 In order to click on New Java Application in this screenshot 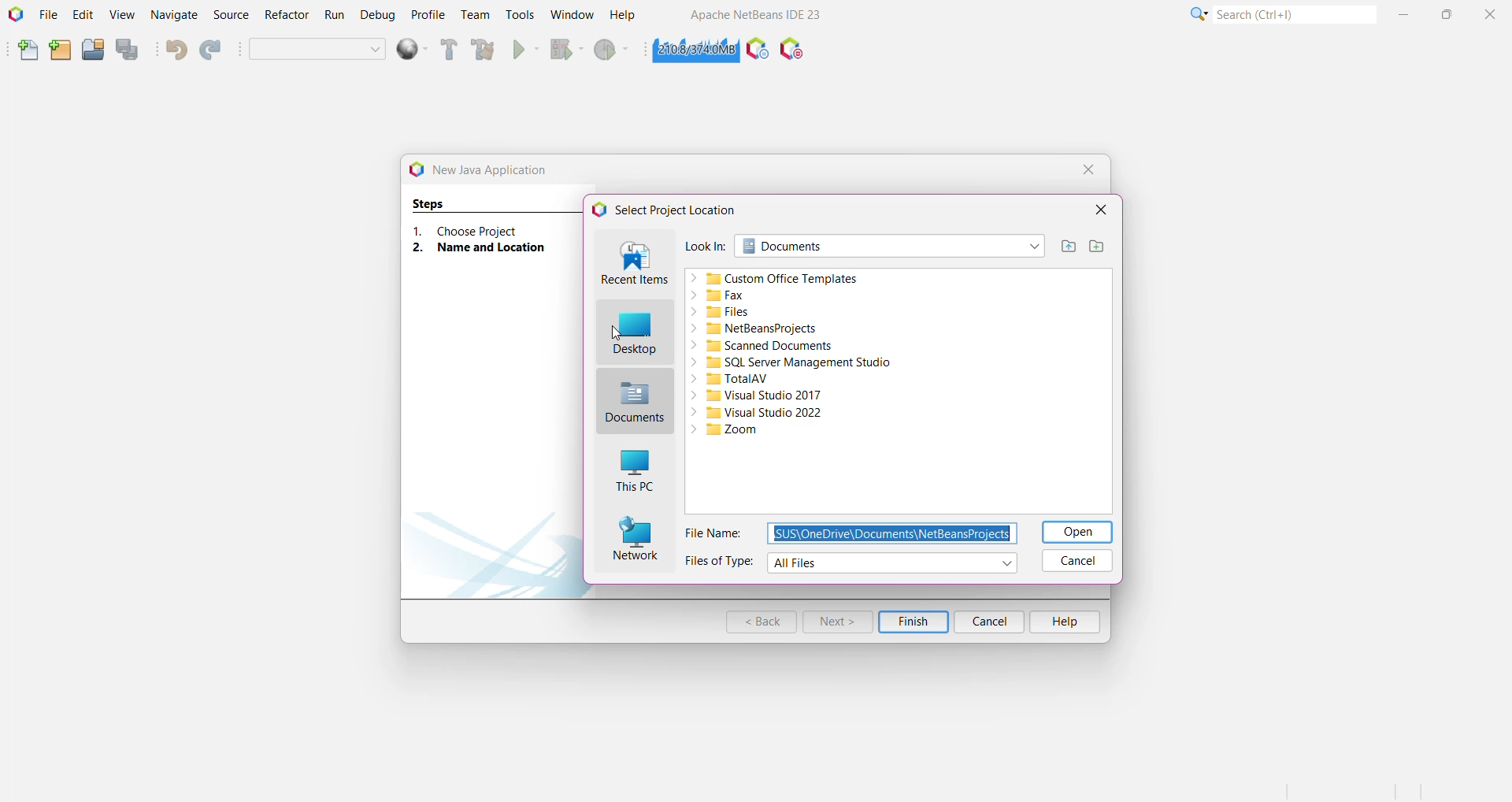, I will do `click(488, 169)`.